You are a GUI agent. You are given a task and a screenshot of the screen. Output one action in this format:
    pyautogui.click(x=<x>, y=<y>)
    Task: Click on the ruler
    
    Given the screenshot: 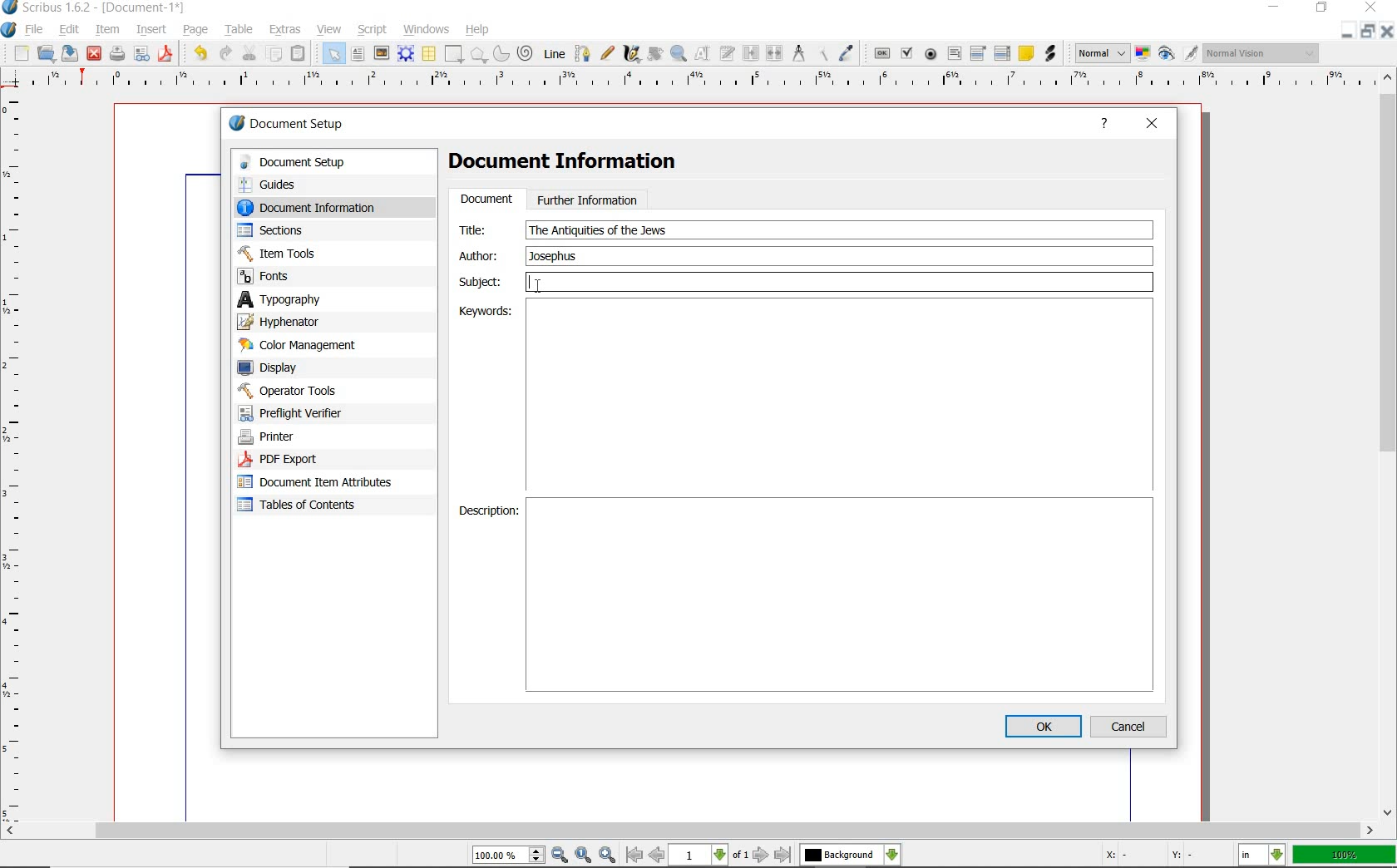 What is the action you would take?
    pyautogui.click(x=17, y=456)
    